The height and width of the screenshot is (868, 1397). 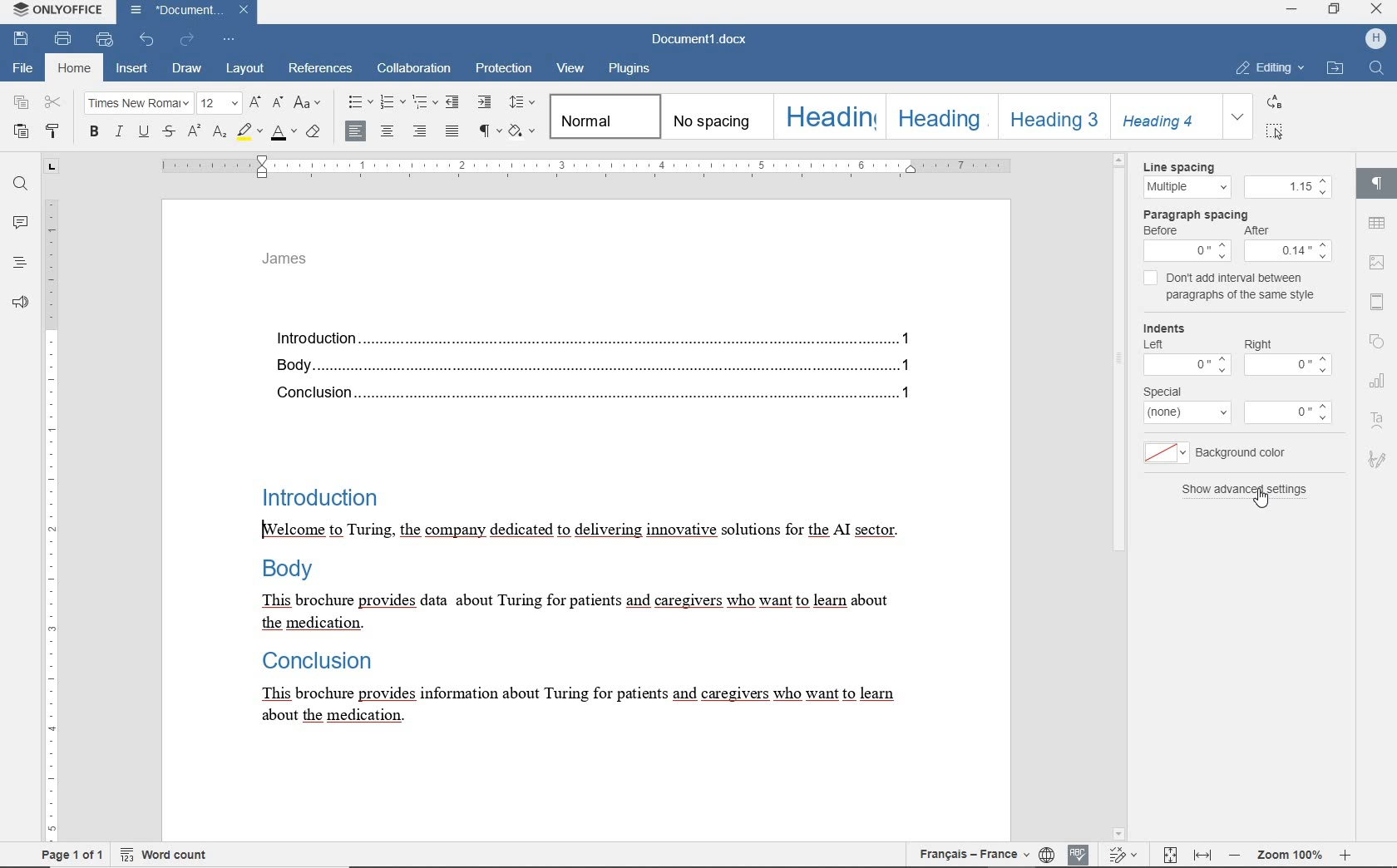 I want to click on document name, so click(x=187, y=12).